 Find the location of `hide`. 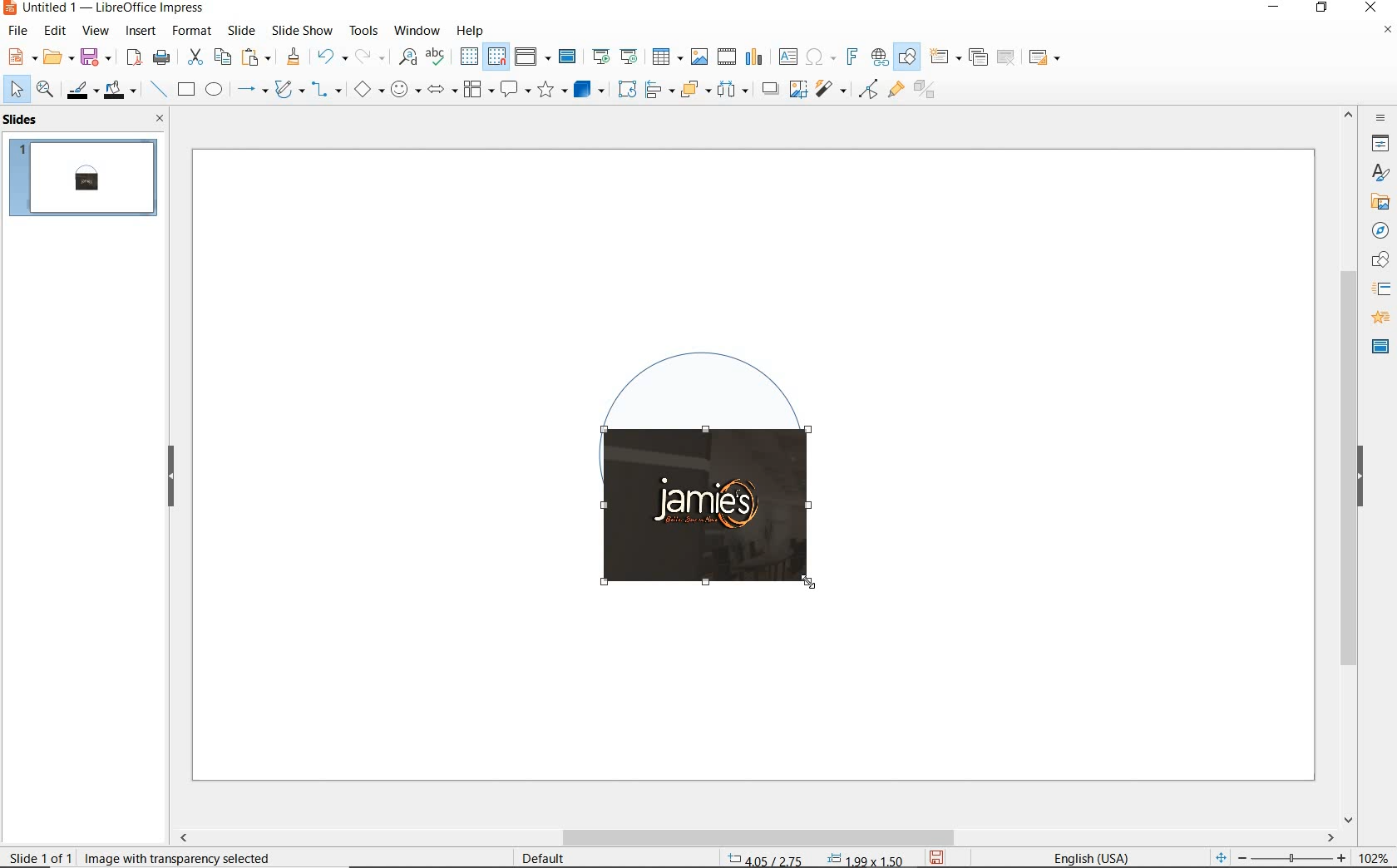

hide is located at coordinates (1360, 478).